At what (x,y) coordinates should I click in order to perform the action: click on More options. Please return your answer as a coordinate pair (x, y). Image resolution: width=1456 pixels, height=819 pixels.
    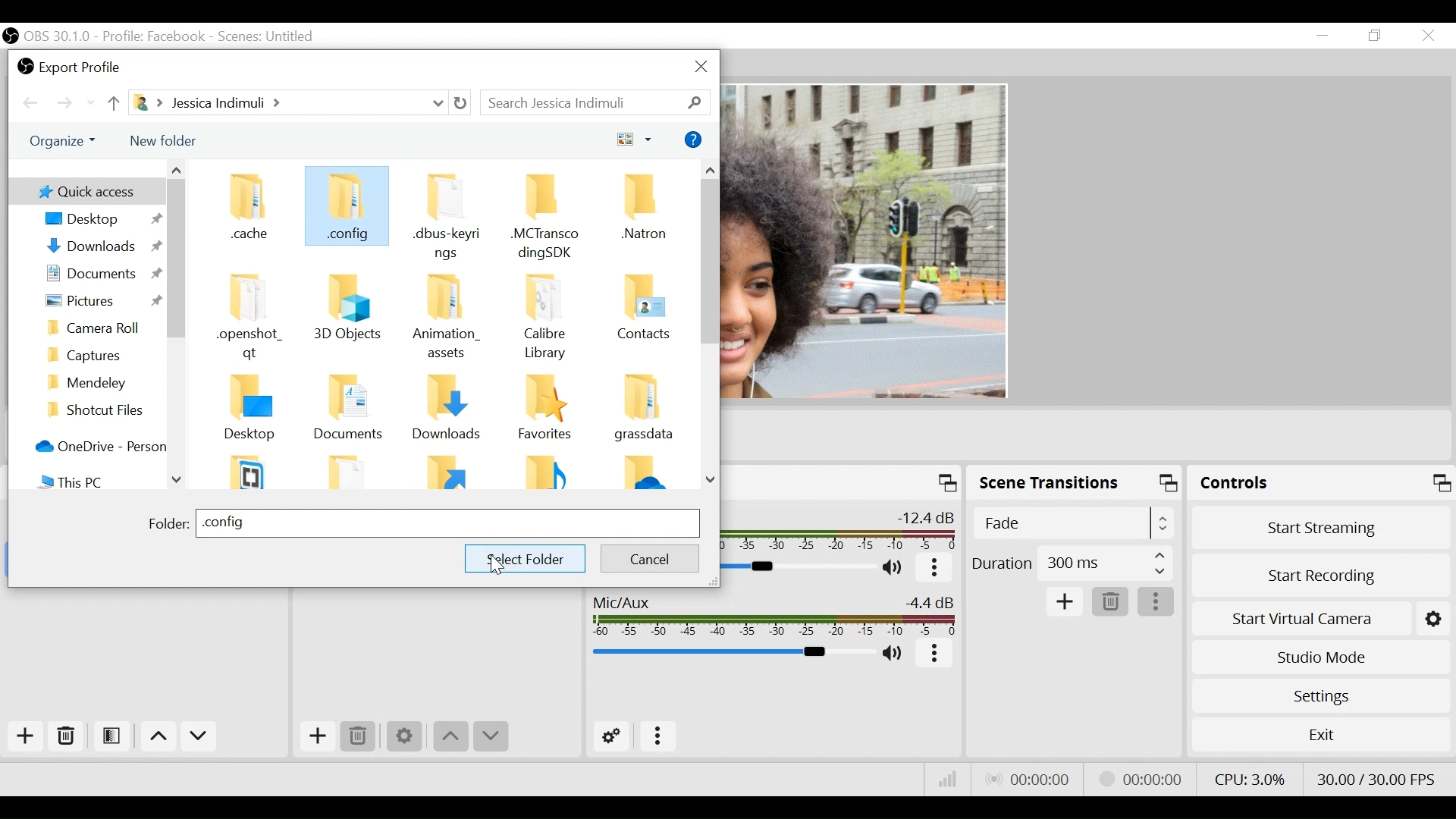
    Looking at the image, I should click on (936, 655).